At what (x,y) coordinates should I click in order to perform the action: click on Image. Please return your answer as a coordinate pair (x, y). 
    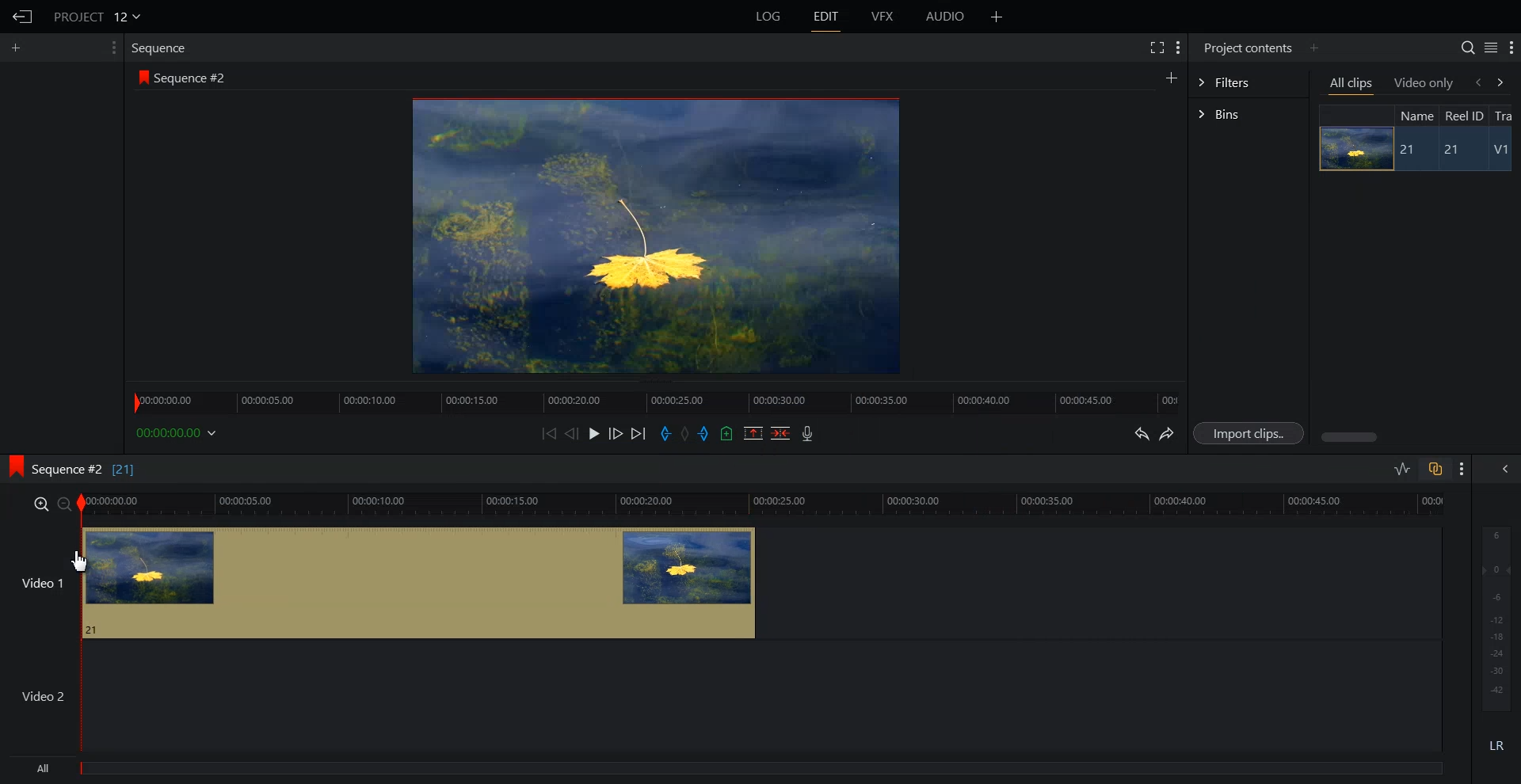
    Looking at the image, I should click on (1351, 148).